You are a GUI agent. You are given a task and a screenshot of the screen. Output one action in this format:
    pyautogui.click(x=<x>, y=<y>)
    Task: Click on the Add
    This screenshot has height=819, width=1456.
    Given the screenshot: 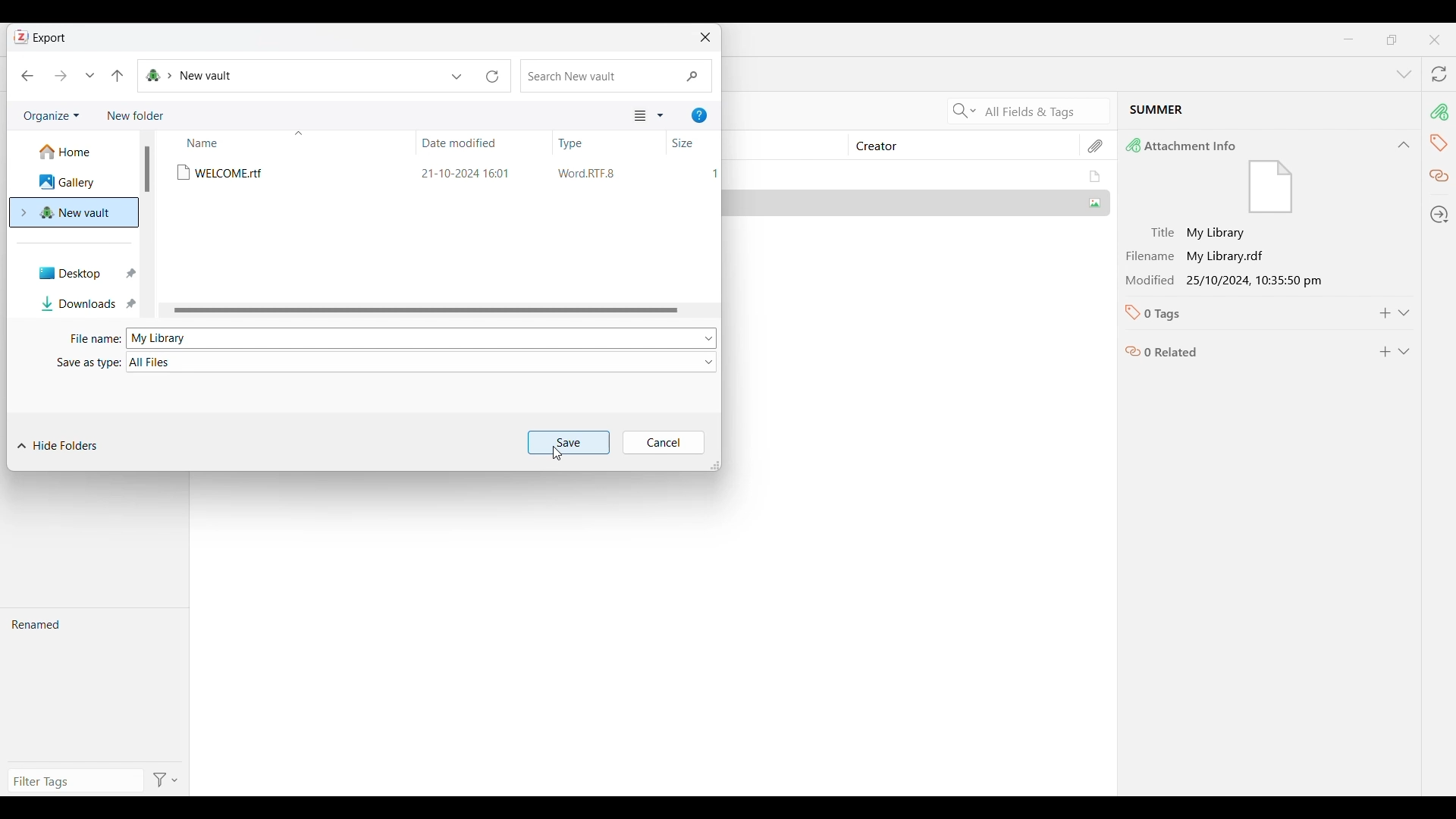 What is the action you would take?
    pyautogui.click(x=1385, y=352)
    